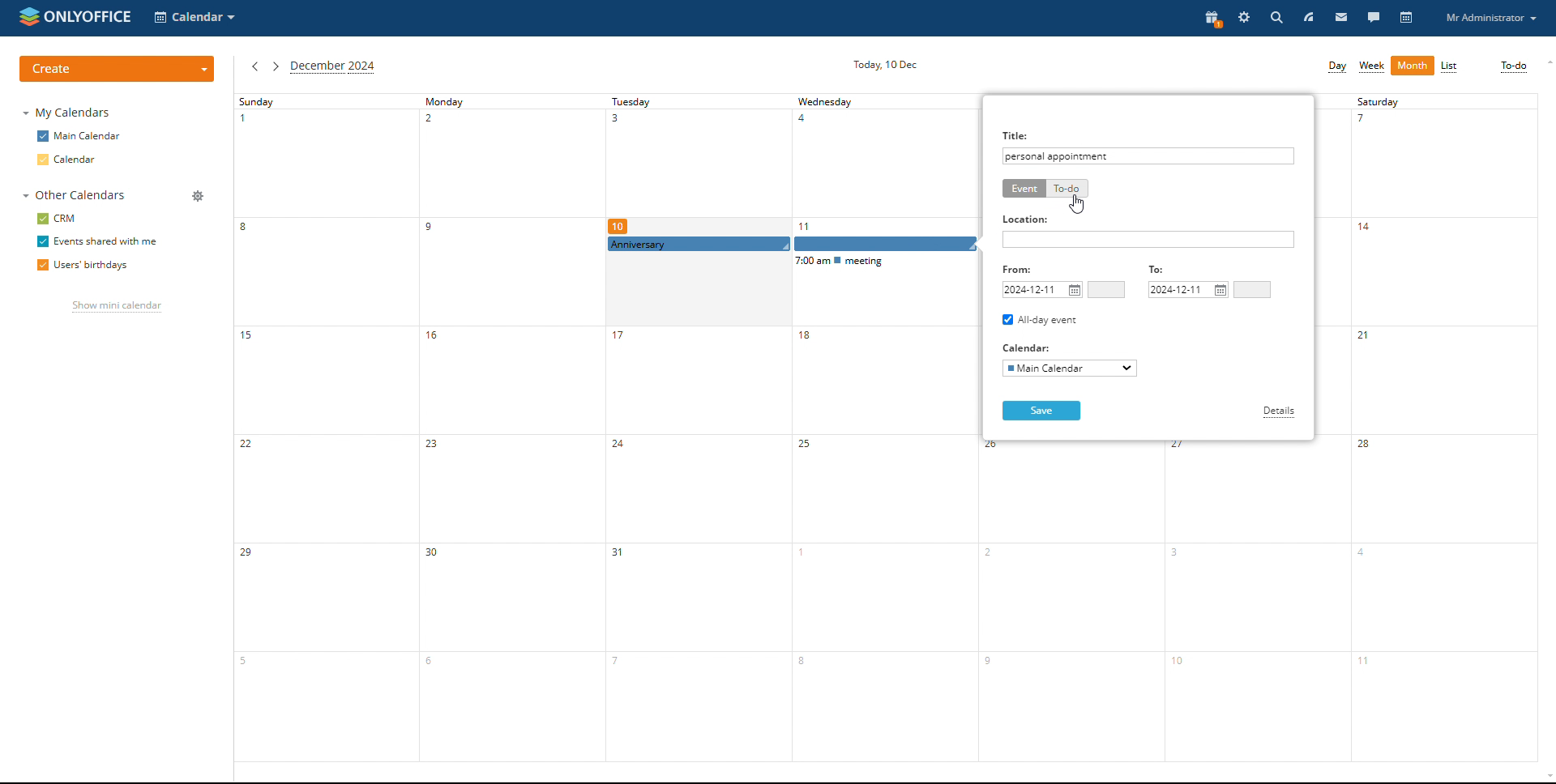  I want to click on settings, so click(1243, 18).